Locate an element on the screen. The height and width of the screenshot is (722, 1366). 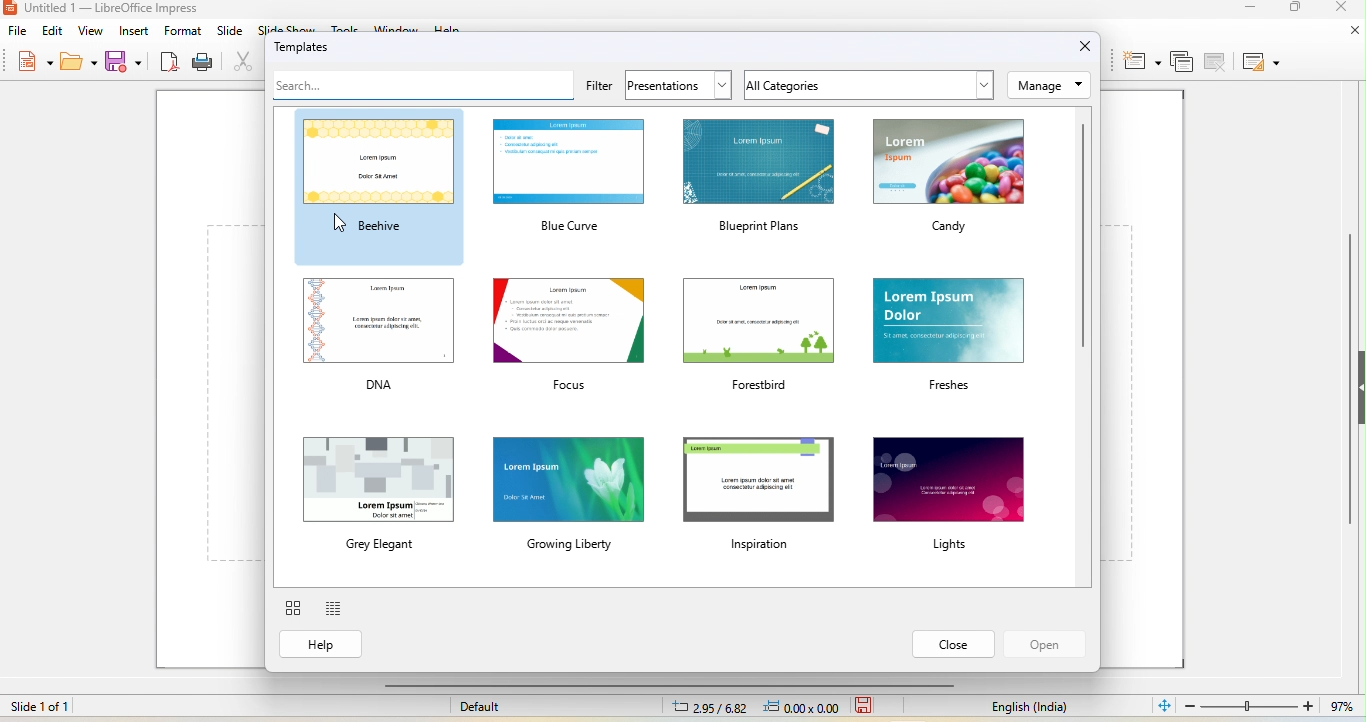
new slide is located at coordinates (1140, 61).